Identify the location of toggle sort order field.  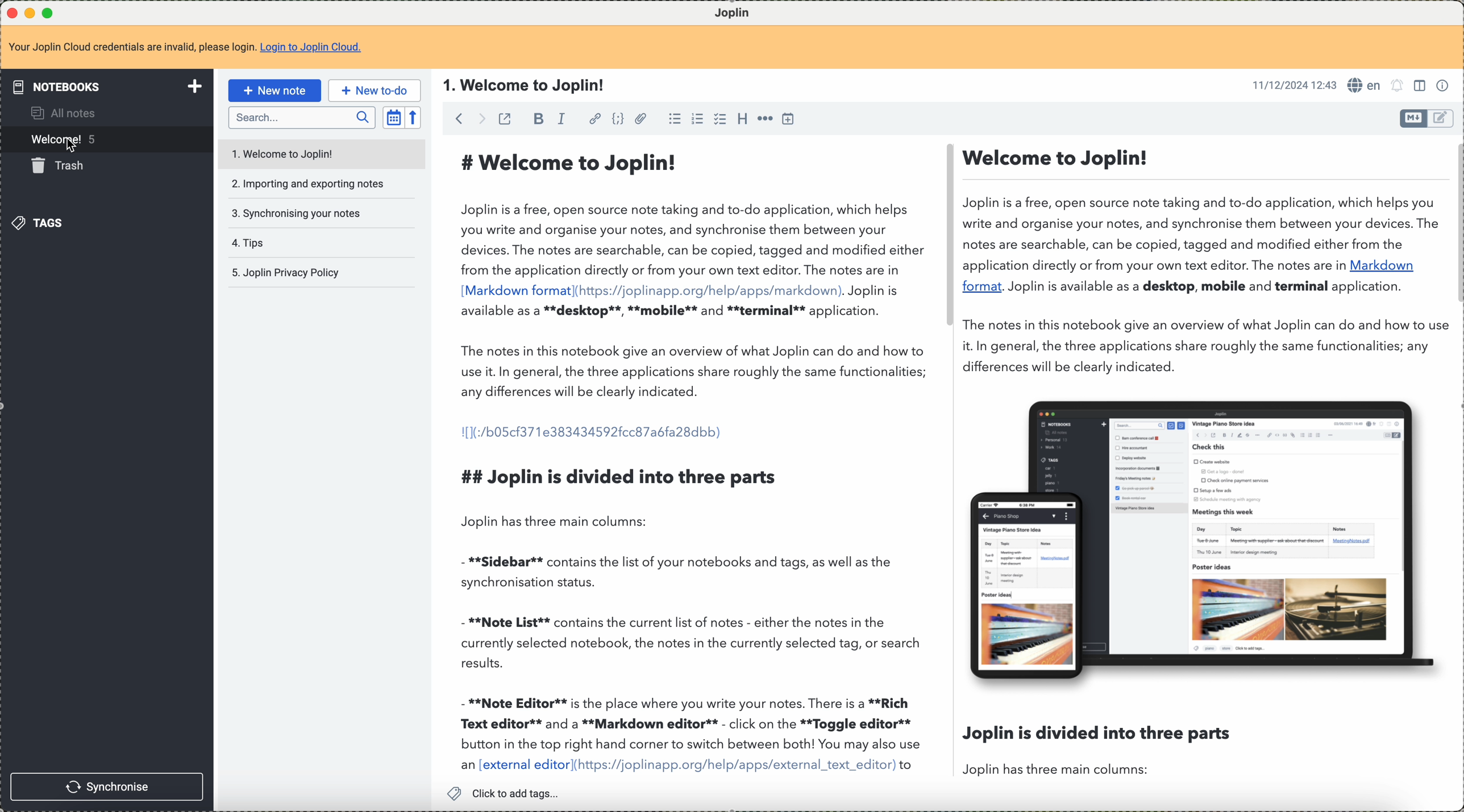
(393, 118).